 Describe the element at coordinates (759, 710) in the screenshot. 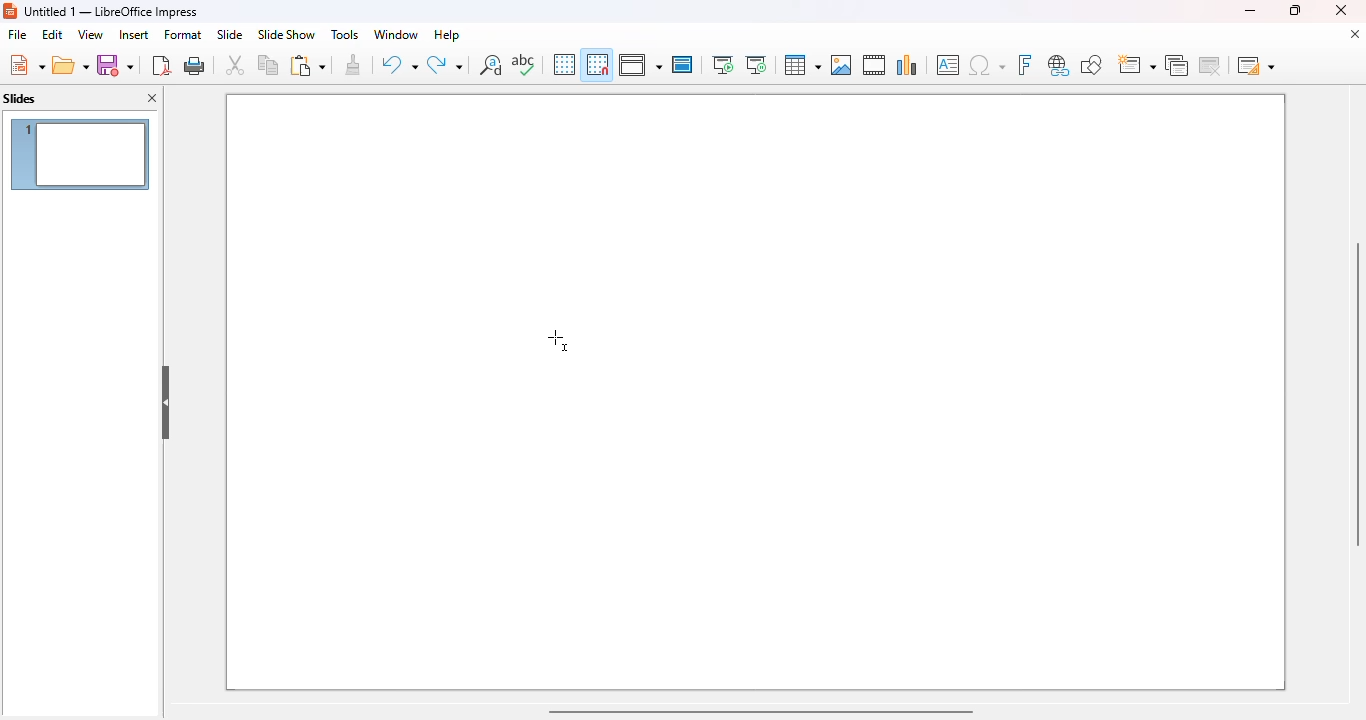

I see `horizontal scroll bar` at that location.